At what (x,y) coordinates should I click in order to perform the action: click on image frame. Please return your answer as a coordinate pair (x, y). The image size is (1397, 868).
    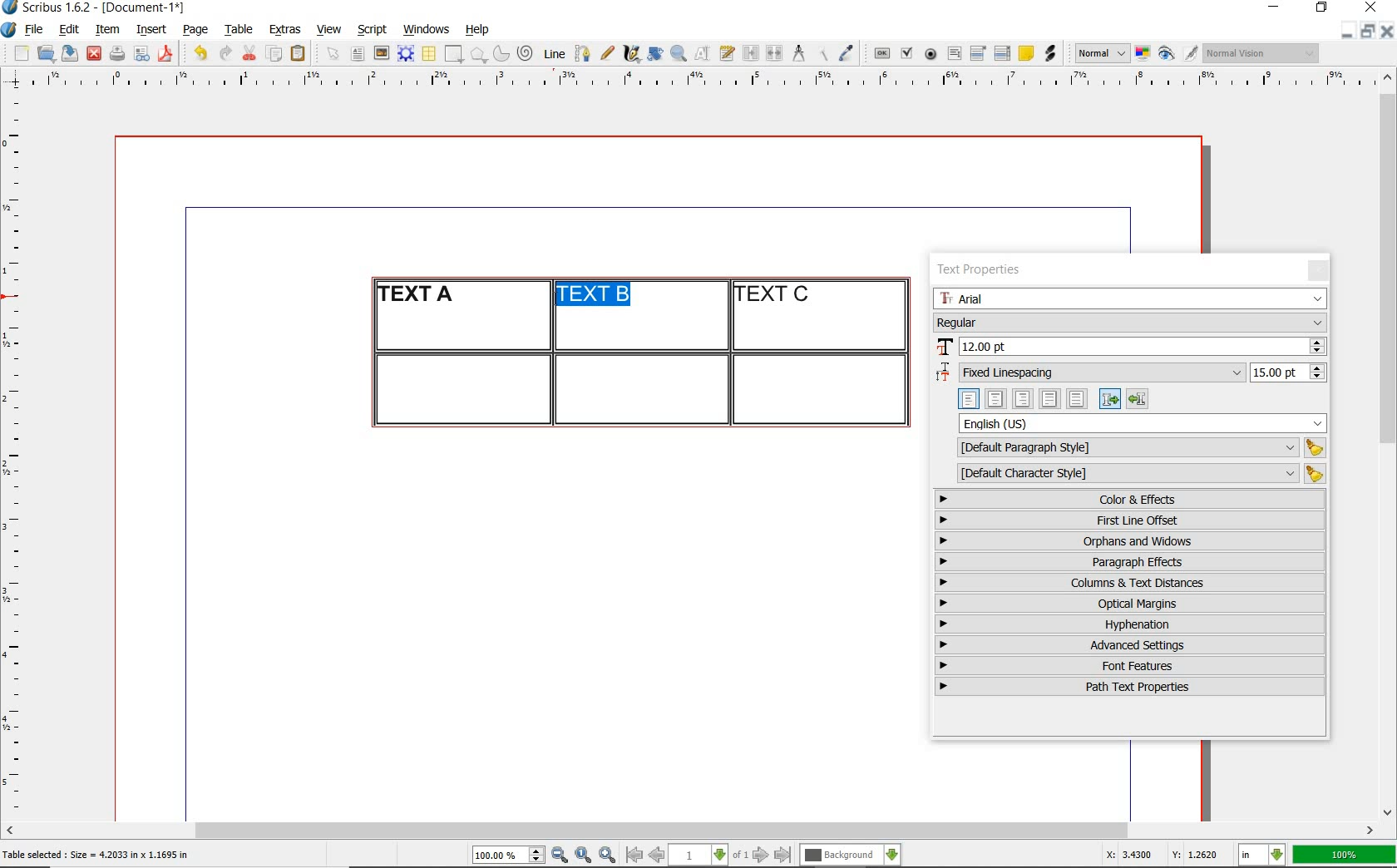
    Looking at the image, I should click on (383, 53).